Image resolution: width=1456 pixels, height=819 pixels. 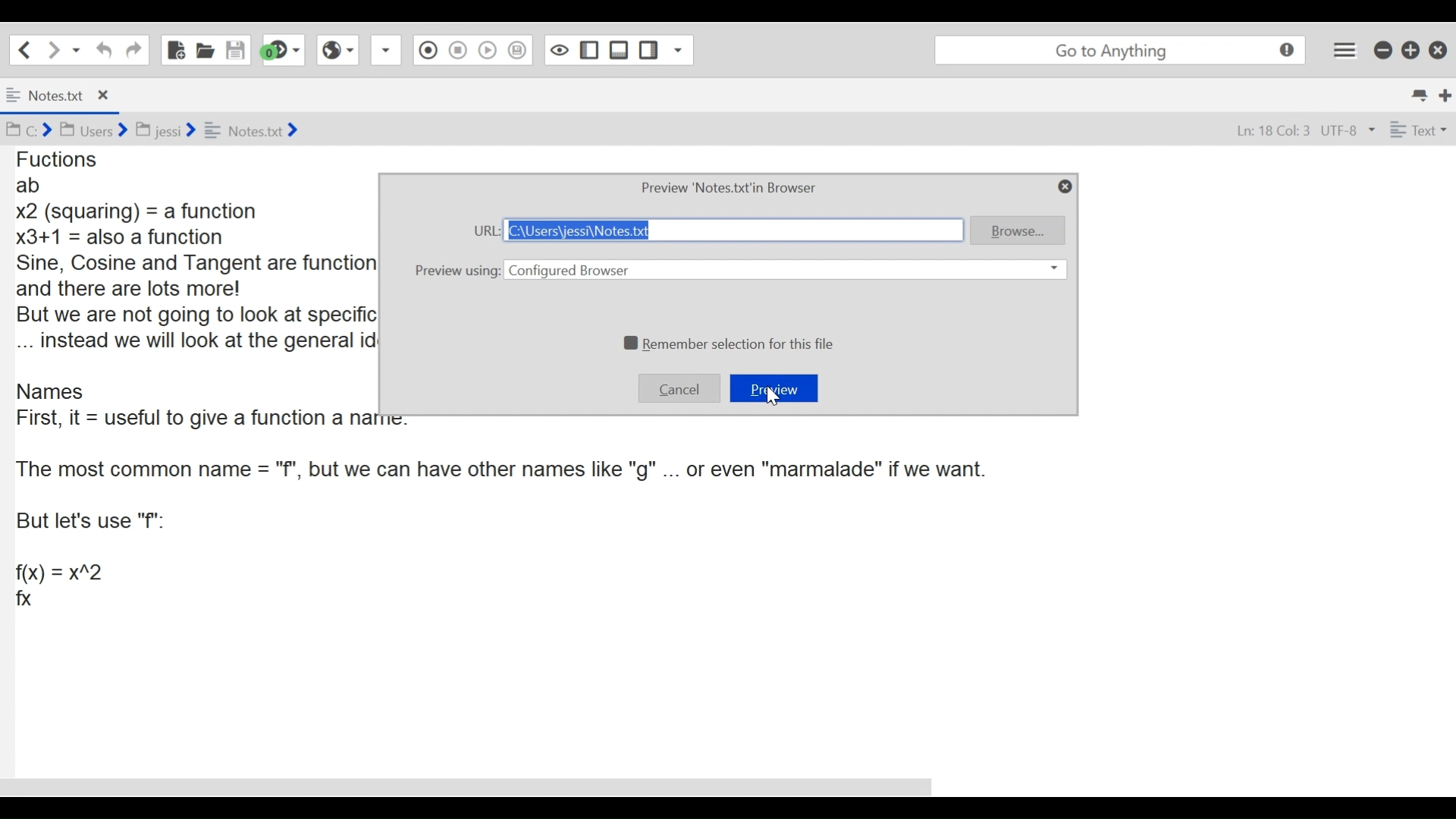 What do you see at coordinates (187, 383) in the screenshot?
I see `FuctionsabX2 (squaring) = a functionx3+1 = also a functionSine, Cosine and Tangent are functions used in trigonometryand there are lots more!But we are not going to look at specific functions ...... instead we will look at the general idea of a function.NamesFirst, it = useful to give a function a name.The most common name = "f", but we can have other names like "g" ... or even "marmalade" if we want.But let's use "f":f(x) = x^2 fx` at bounding box center [187, 383].